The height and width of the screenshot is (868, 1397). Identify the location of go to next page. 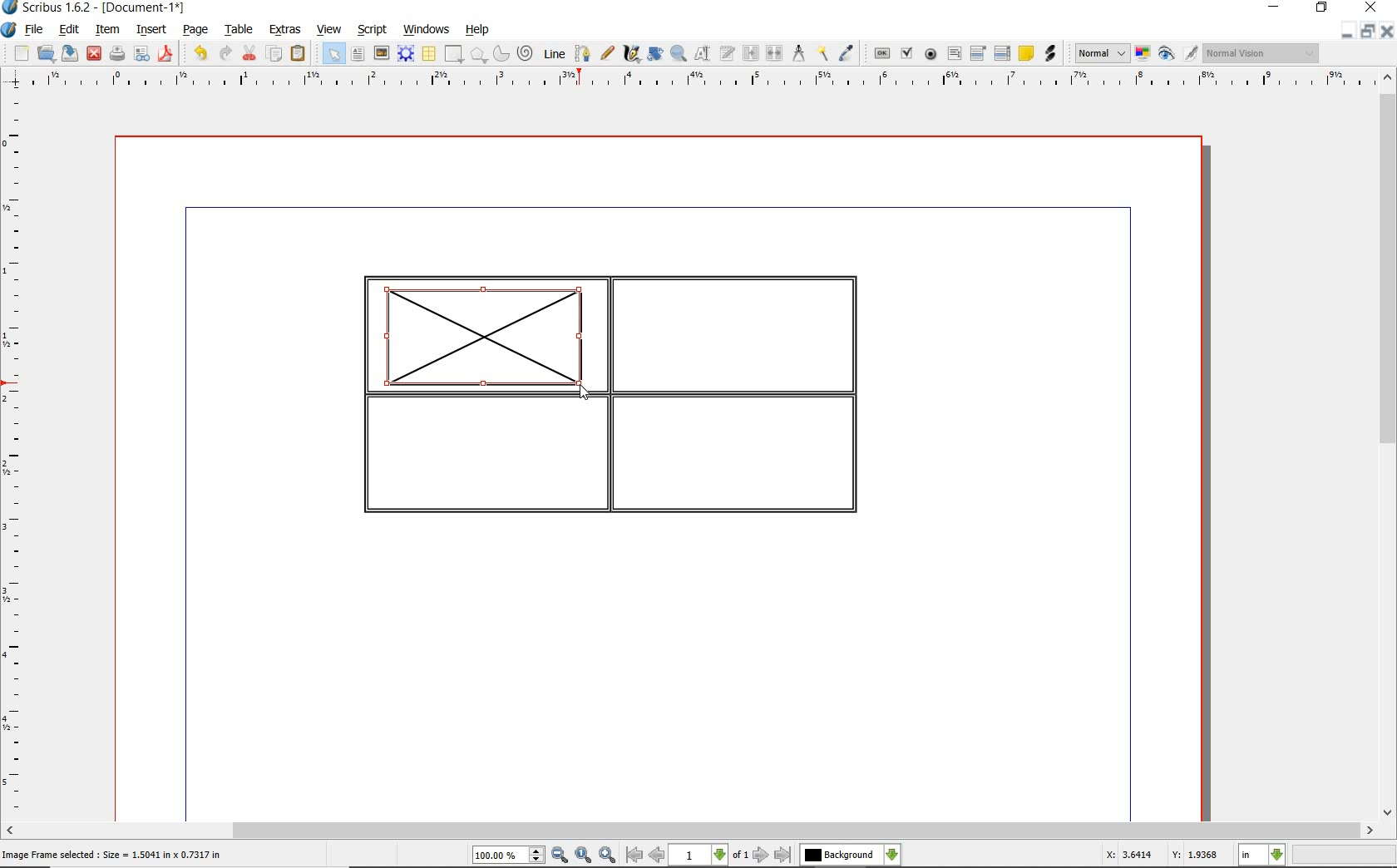
(761, 855).